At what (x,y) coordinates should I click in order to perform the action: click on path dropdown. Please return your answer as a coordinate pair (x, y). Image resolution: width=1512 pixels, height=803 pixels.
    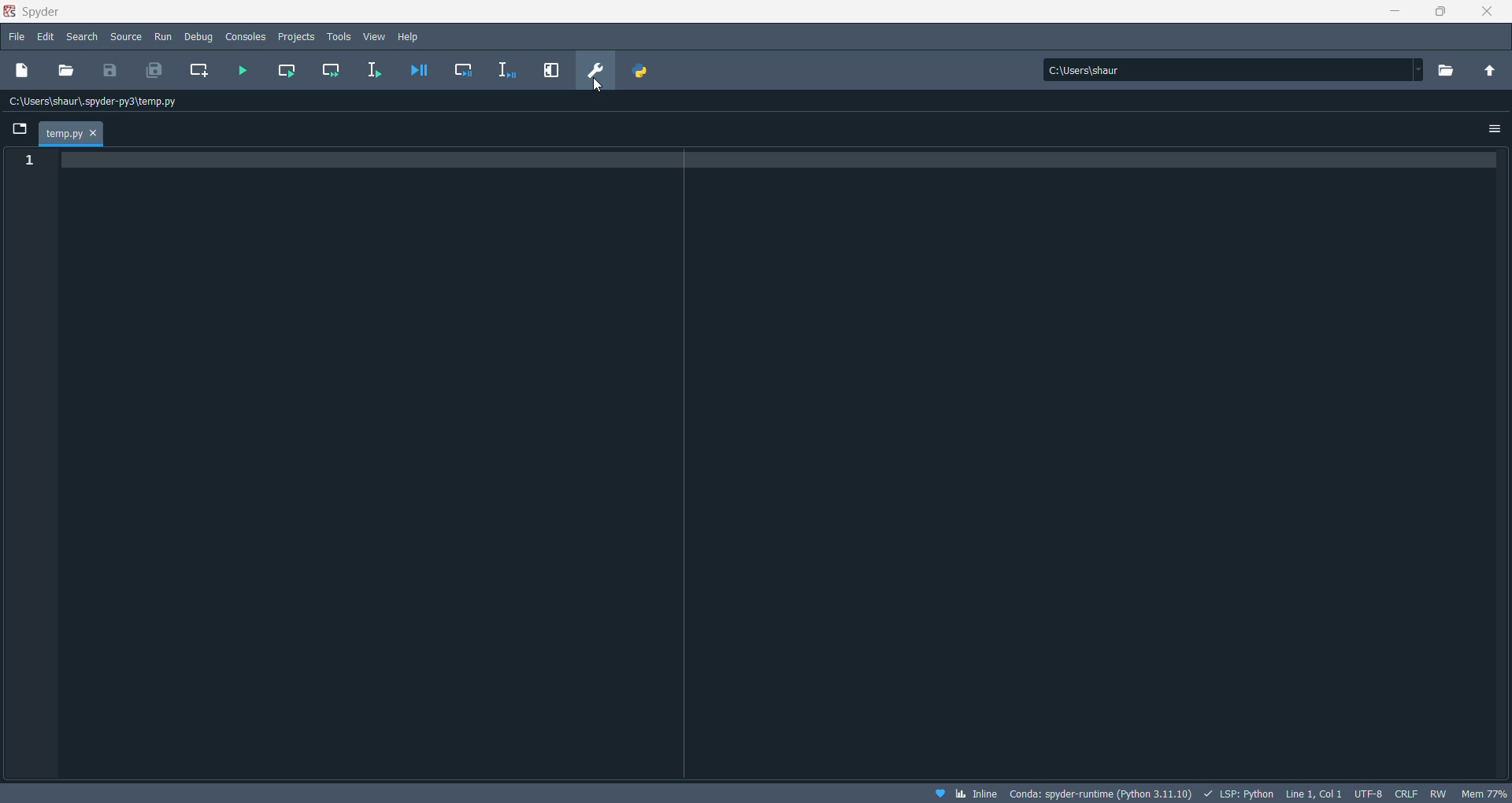
    Looking at the image, I should click on (1419, 70).